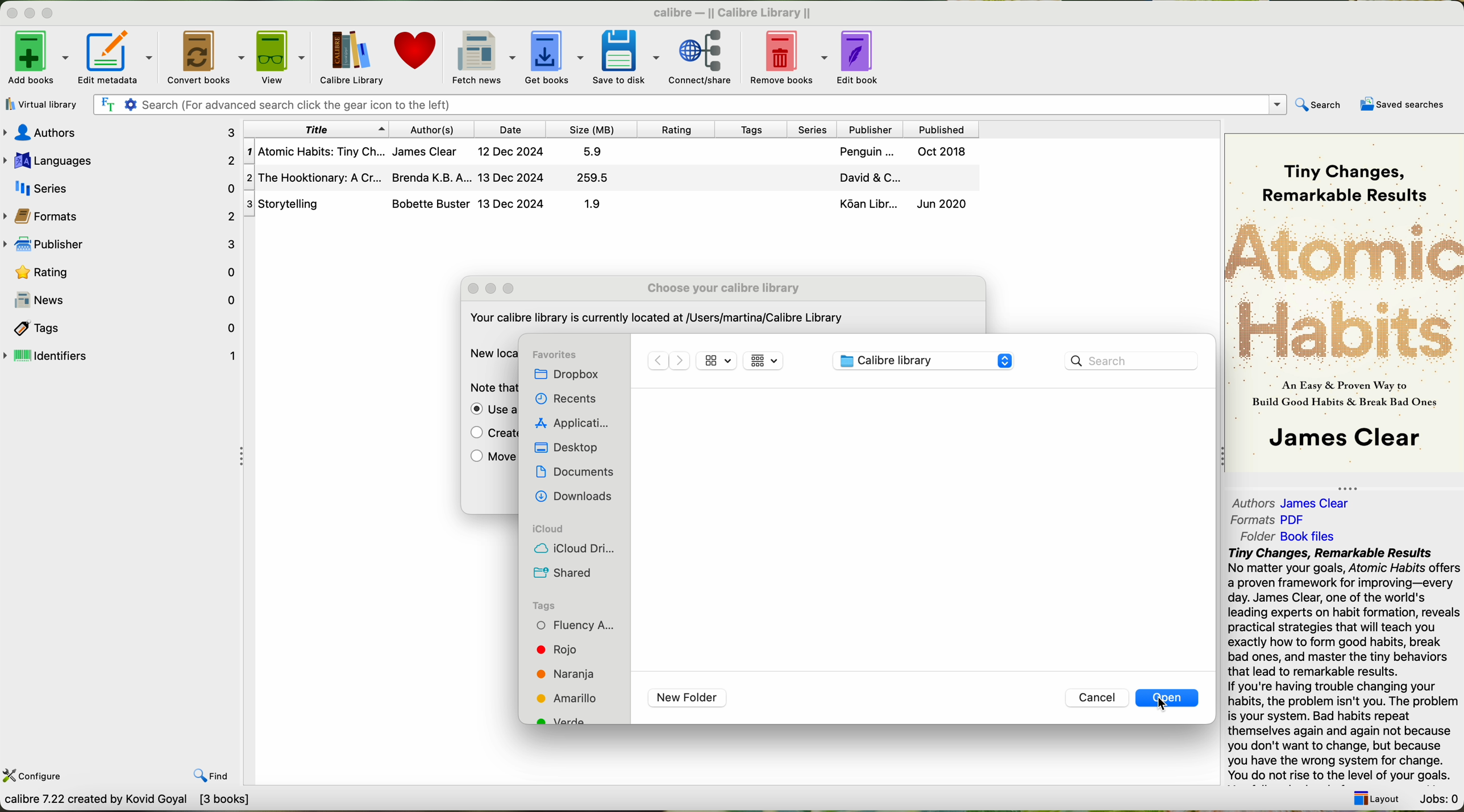 This screenshot has width=1464, height=812. I want to click on cursor, so click(1166, 706).